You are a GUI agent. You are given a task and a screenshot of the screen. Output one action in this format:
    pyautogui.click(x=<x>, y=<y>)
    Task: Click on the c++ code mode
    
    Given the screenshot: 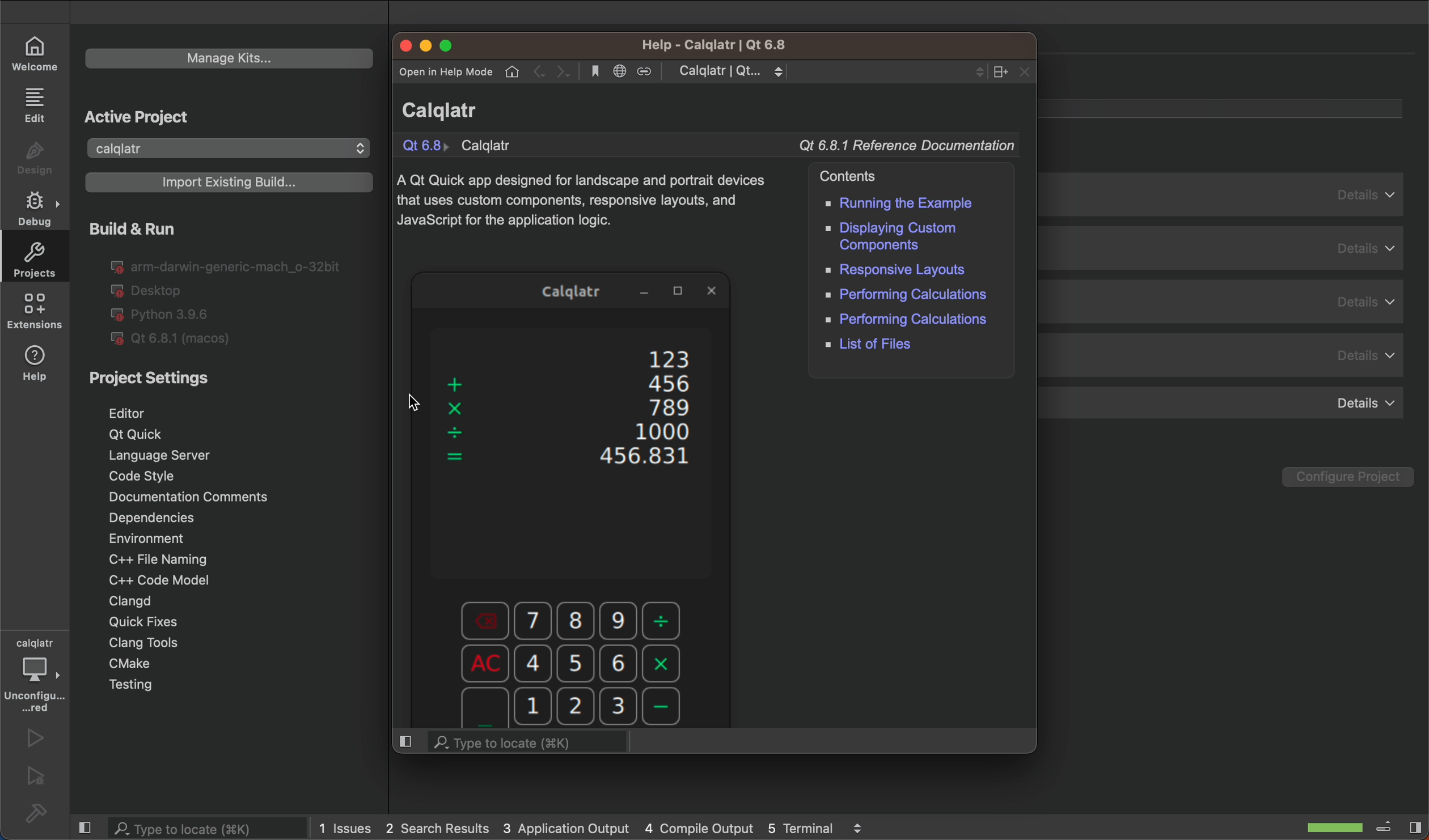 What is the action you would take?
    pyautogui.click(x=157, y=579)
    